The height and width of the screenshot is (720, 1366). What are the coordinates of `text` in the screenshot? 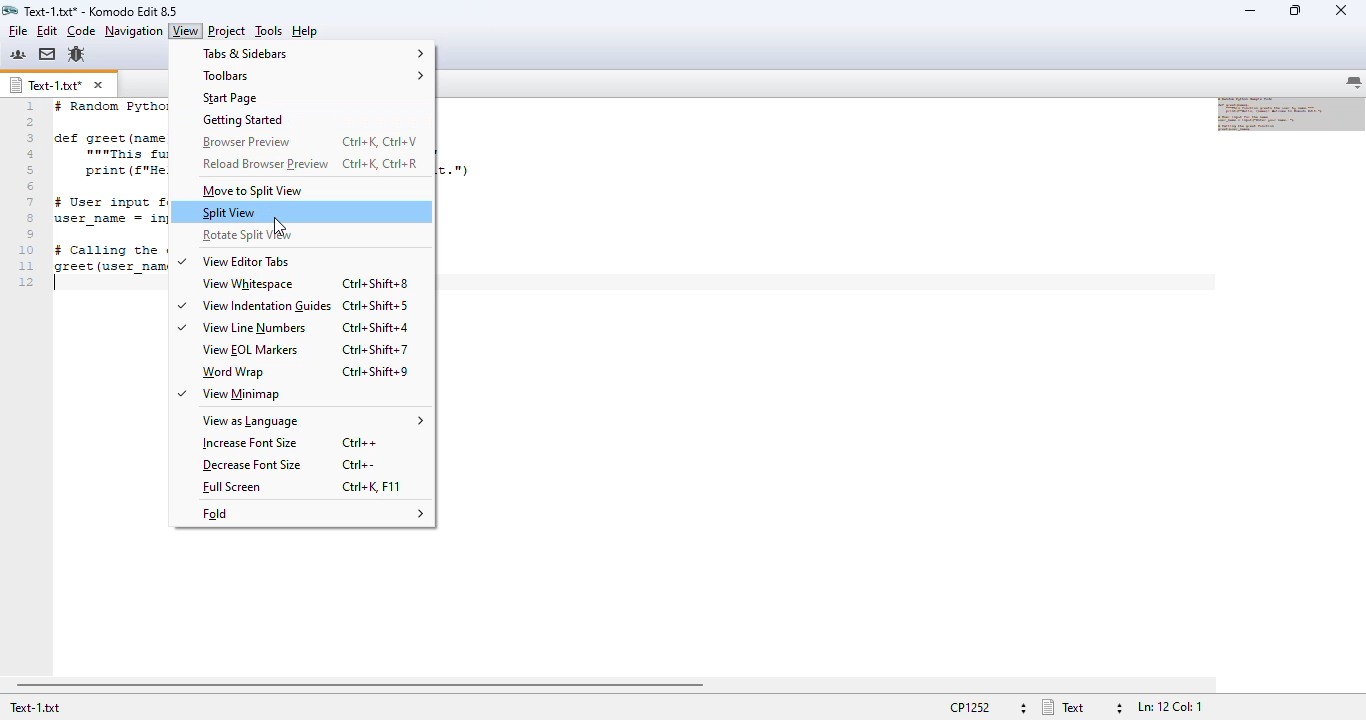 It's located at (1062, 707).